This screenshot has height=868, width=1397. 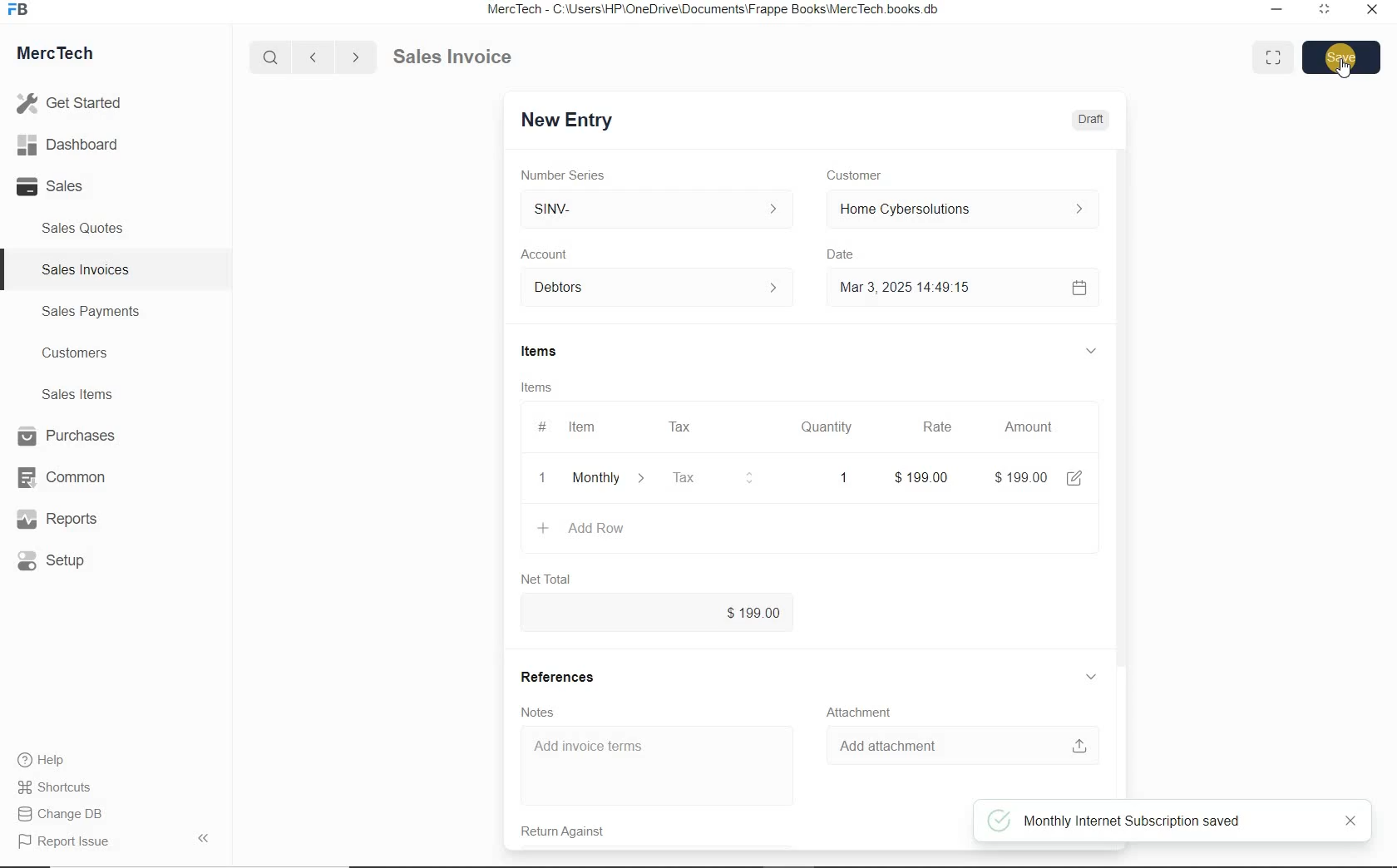 What do you see at coordinates (715, 10) in the screenshot?
I see `MercTech - C:\Users\HP\OneDrive\Documents\Frappe Books\MercTech books db` at bounding box center [715, 10].